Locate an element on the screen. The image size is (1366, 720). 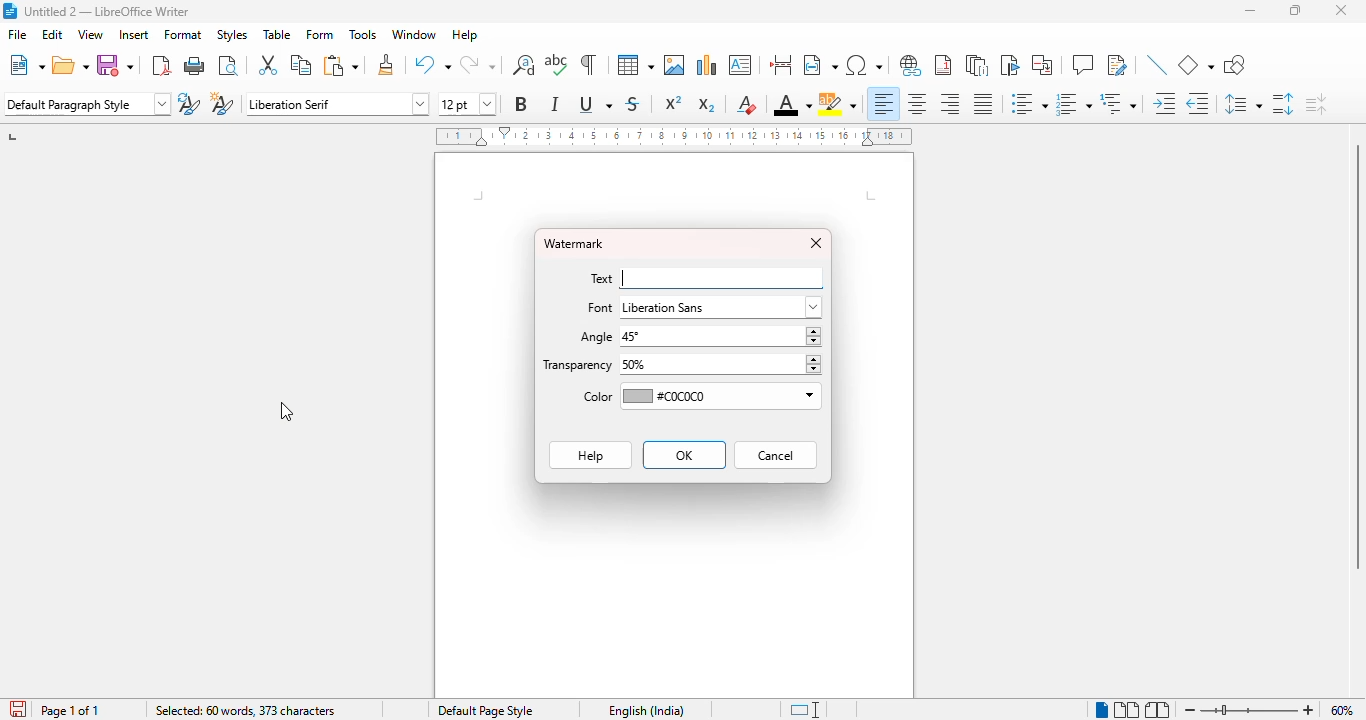
basic shapes is located at coordinates (1195, 65).